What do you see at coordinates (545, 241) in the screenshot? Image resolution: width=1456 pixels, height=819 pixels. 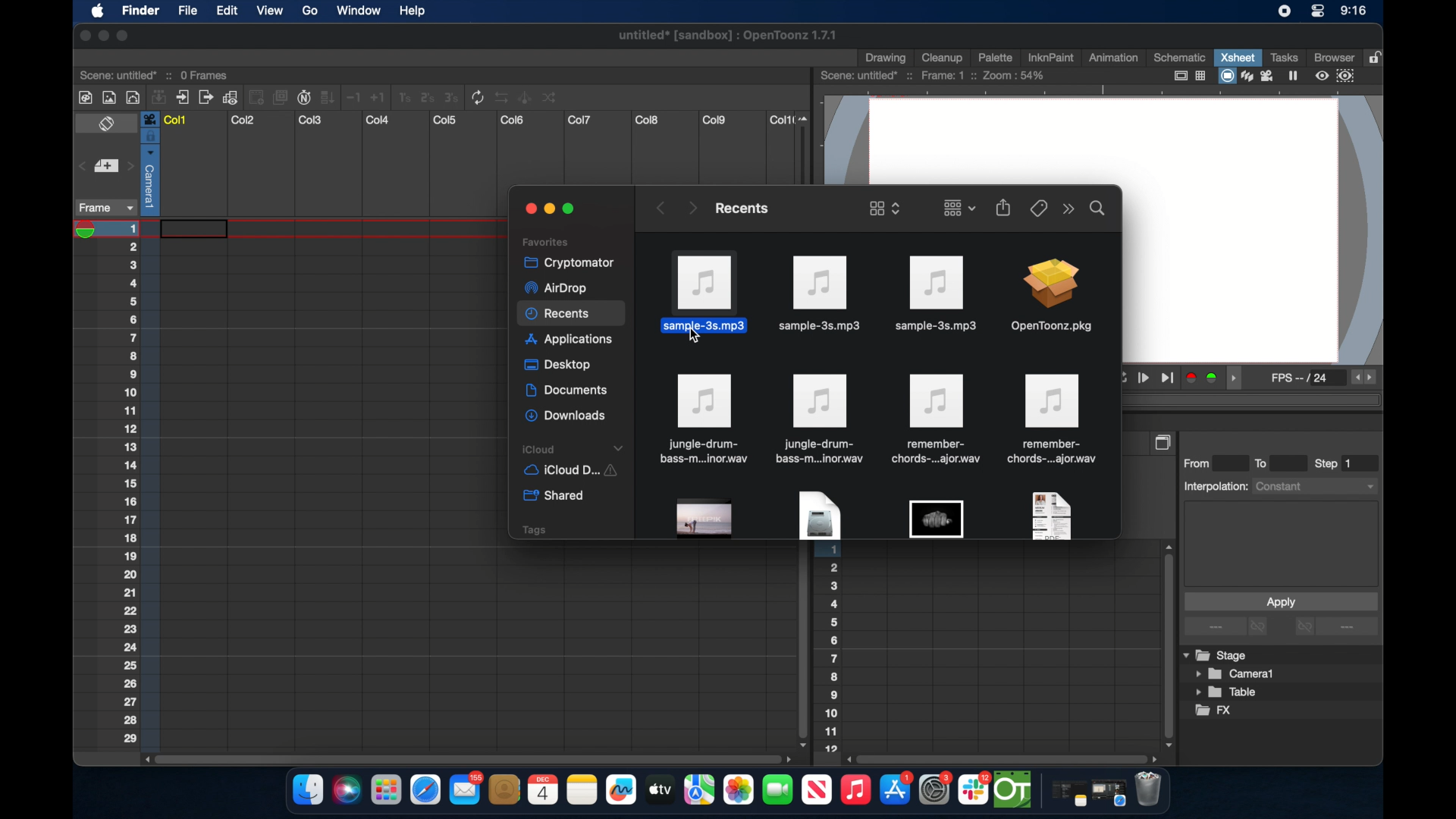 I see `favorites` at bounding box center [545, 241].